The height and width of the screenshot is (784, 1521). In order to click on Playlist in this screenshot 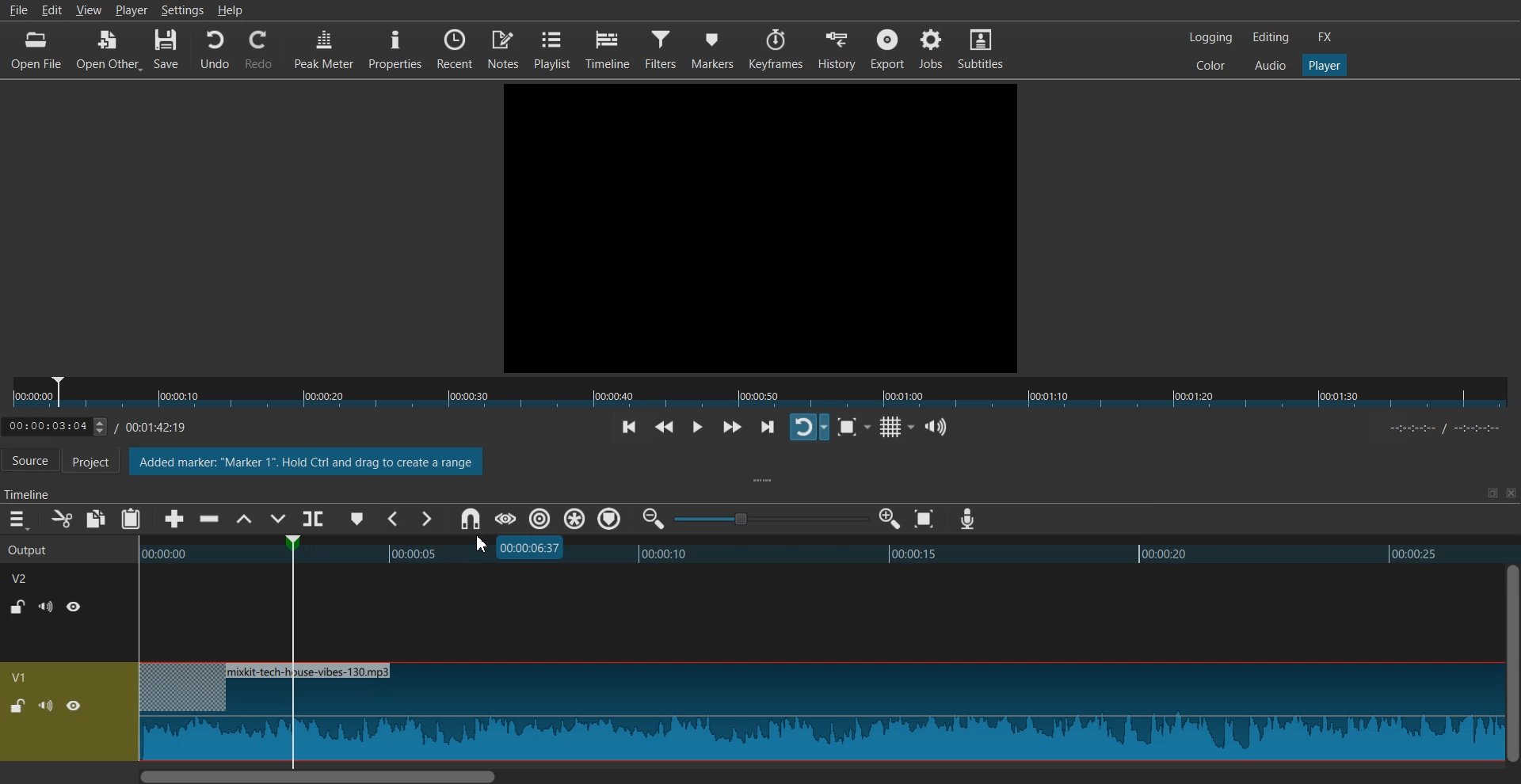, I will do `click(552, 48)`.